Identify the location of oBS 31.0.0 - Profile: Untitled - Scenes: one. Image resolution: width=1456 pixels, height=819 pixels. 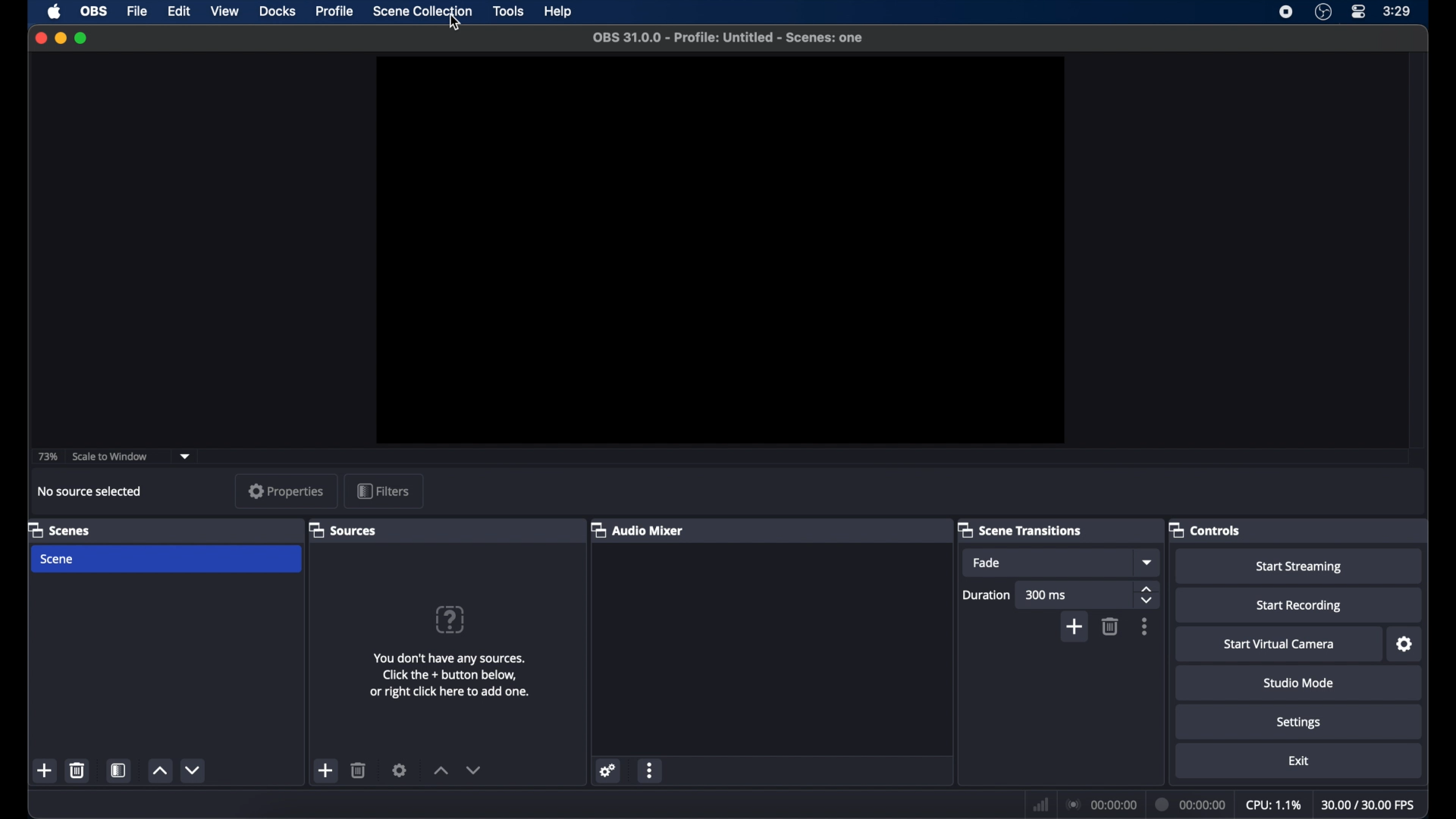
(740, 39).